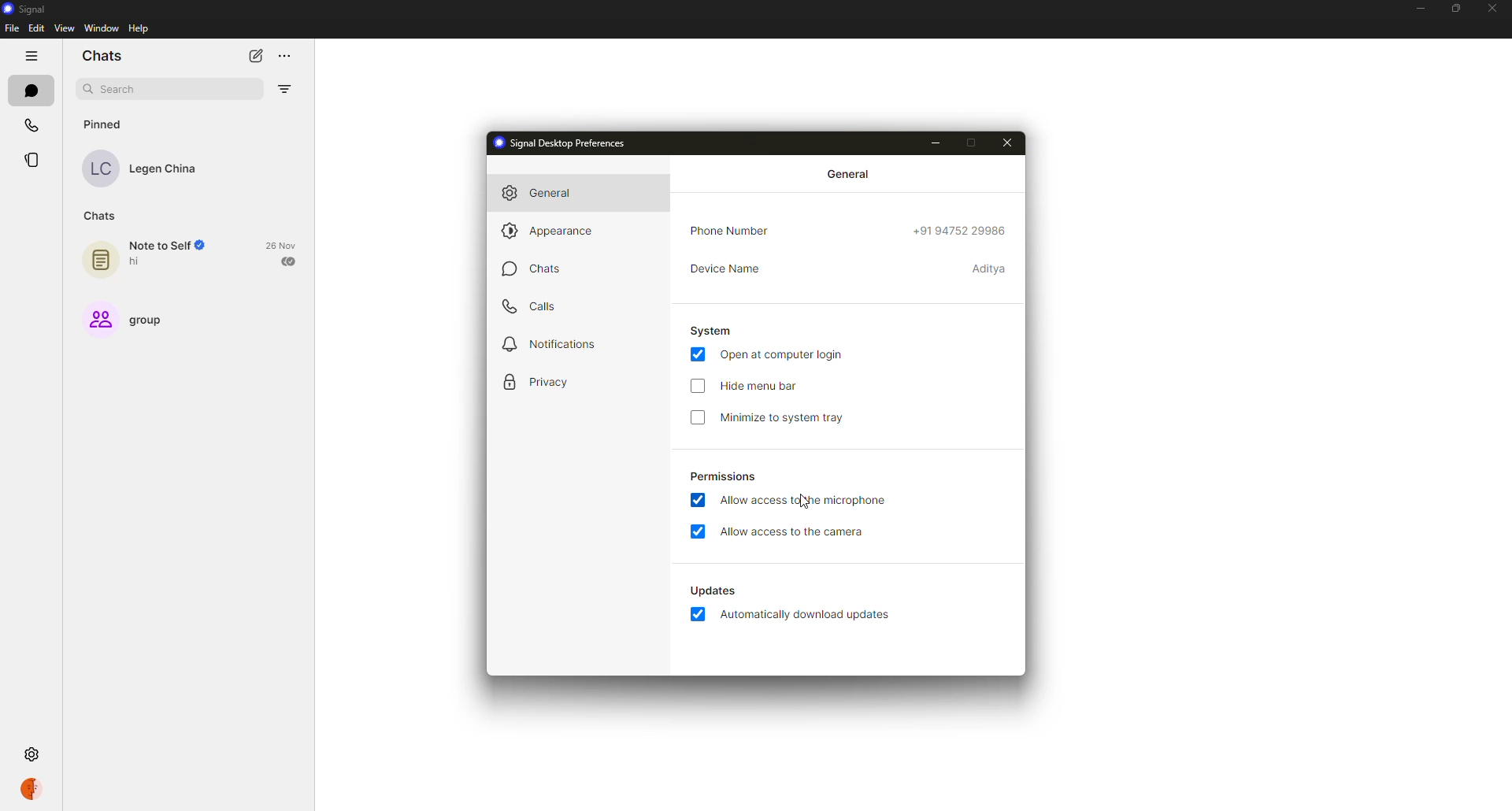  What do you see at coordinates (713, 330) in the screenshot?
I see `system` at bounding box center [713, 330].